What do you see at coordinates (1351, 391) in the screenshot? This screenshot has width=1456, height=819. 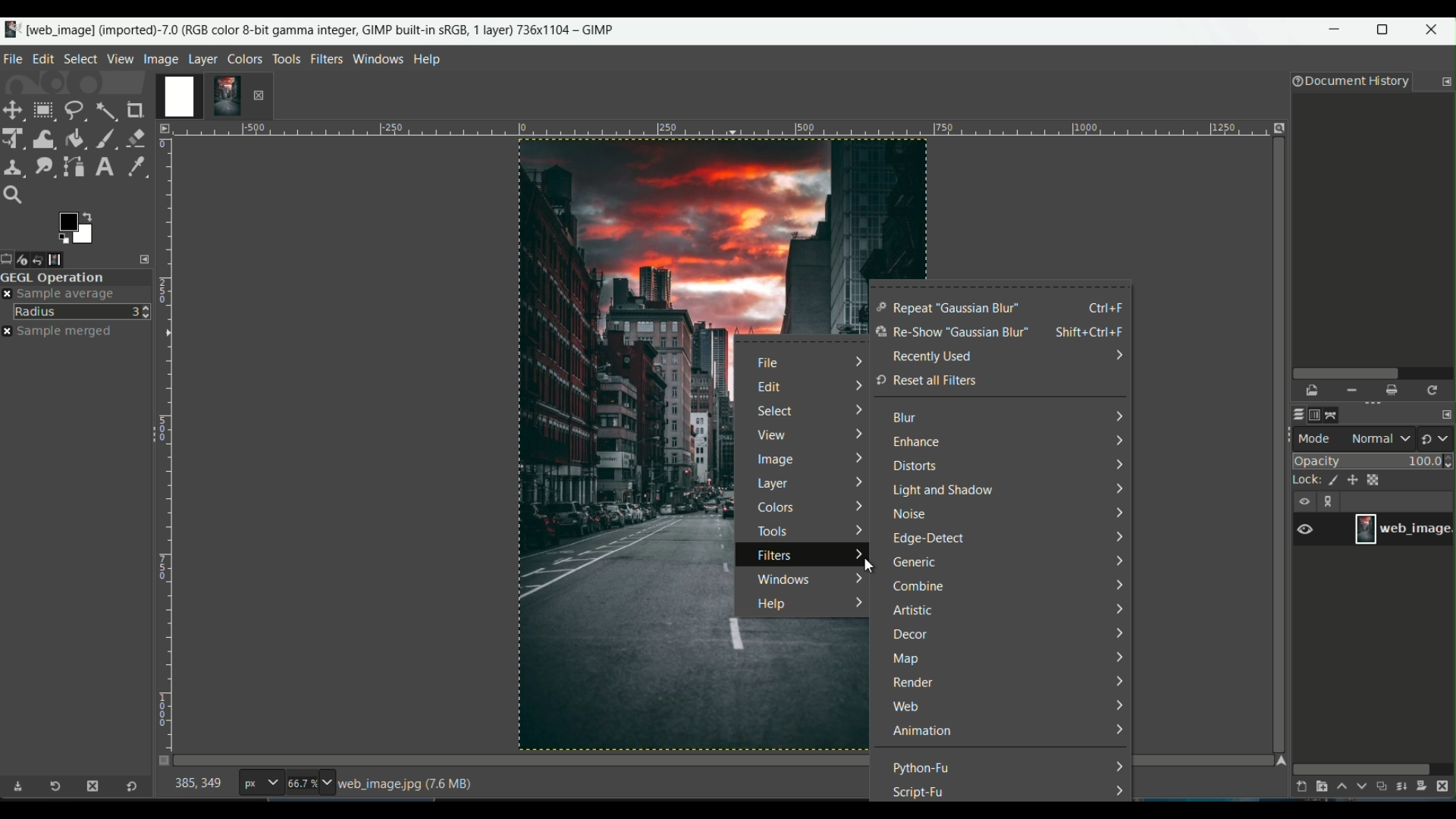 I see `remove the selected entry` at bounding box center [1351, 391].